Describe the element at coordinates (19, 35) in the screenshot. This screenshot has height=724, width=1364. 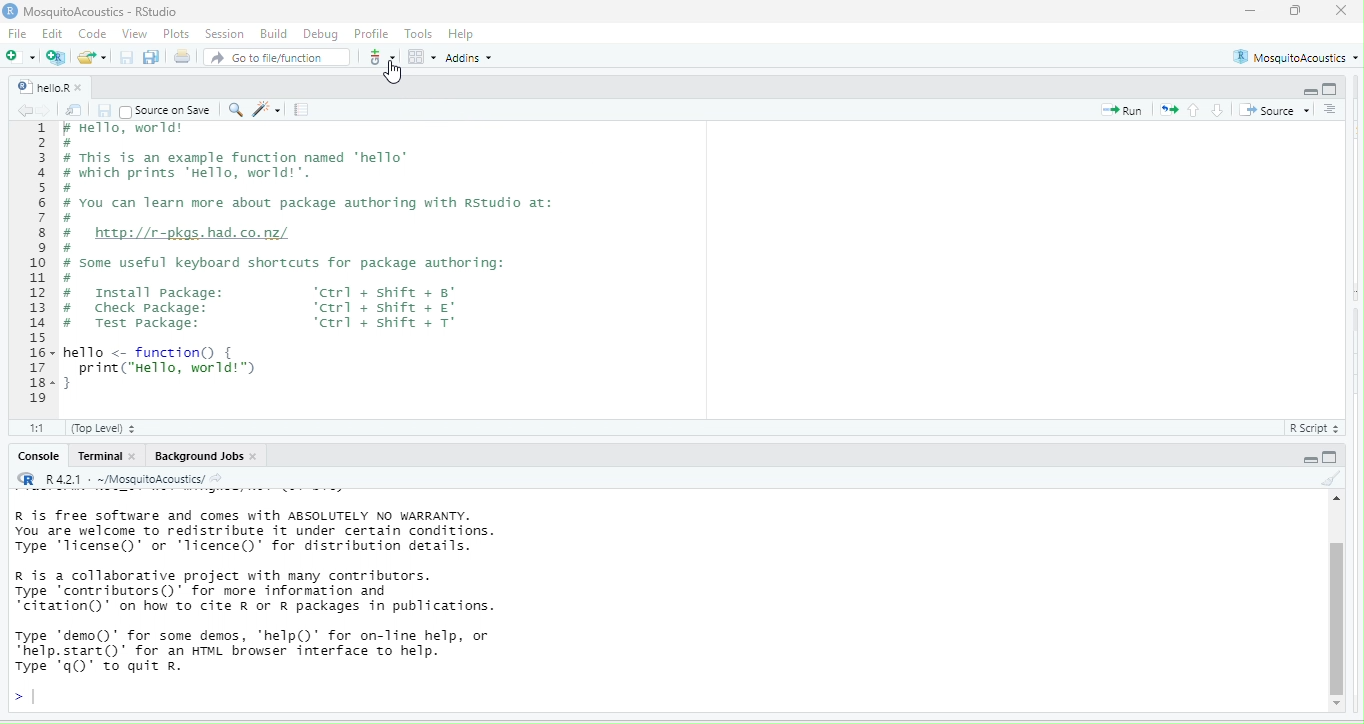
I see `File` at that location.